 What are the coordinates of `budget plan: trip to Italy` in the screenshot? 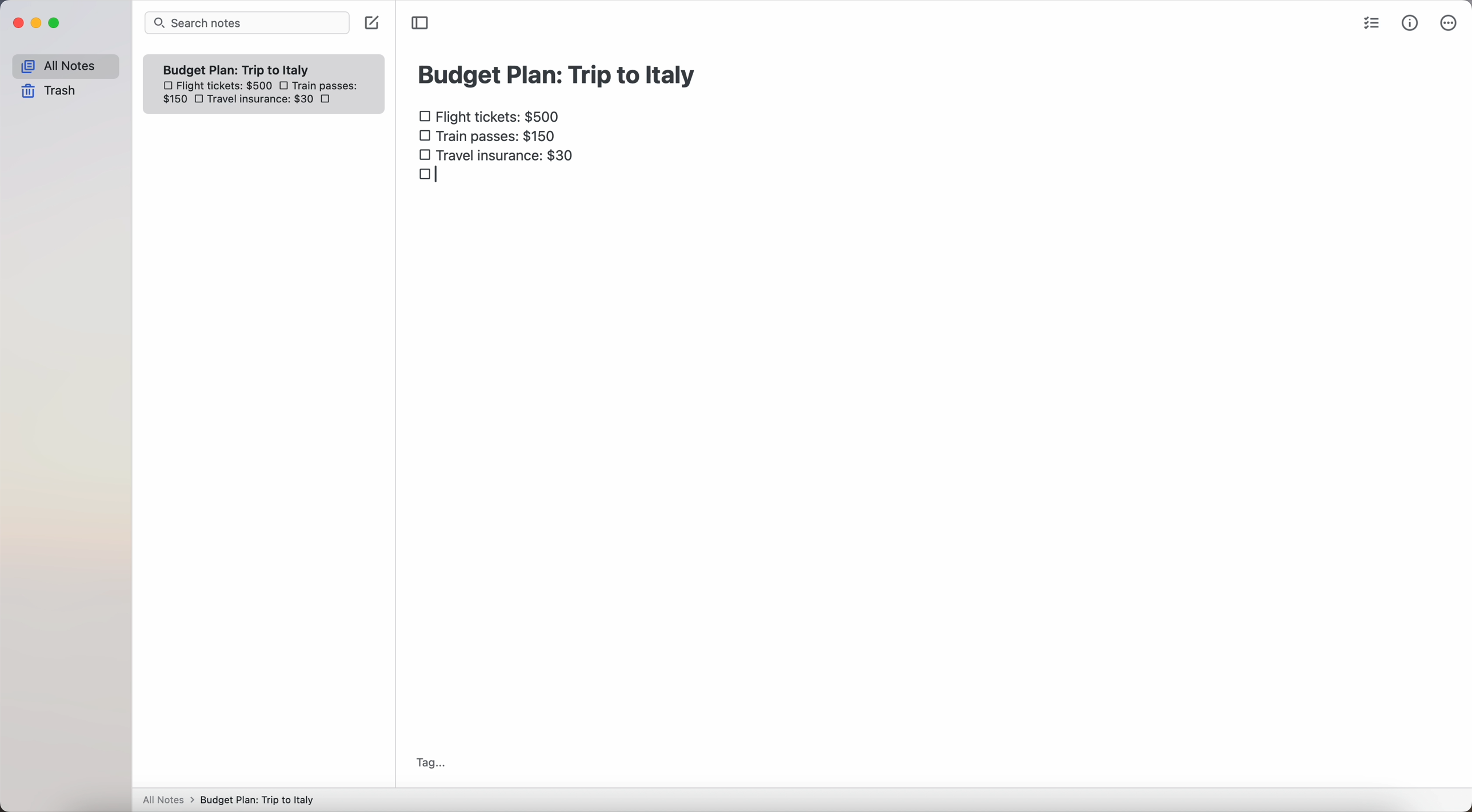 It's located at (559, 73).